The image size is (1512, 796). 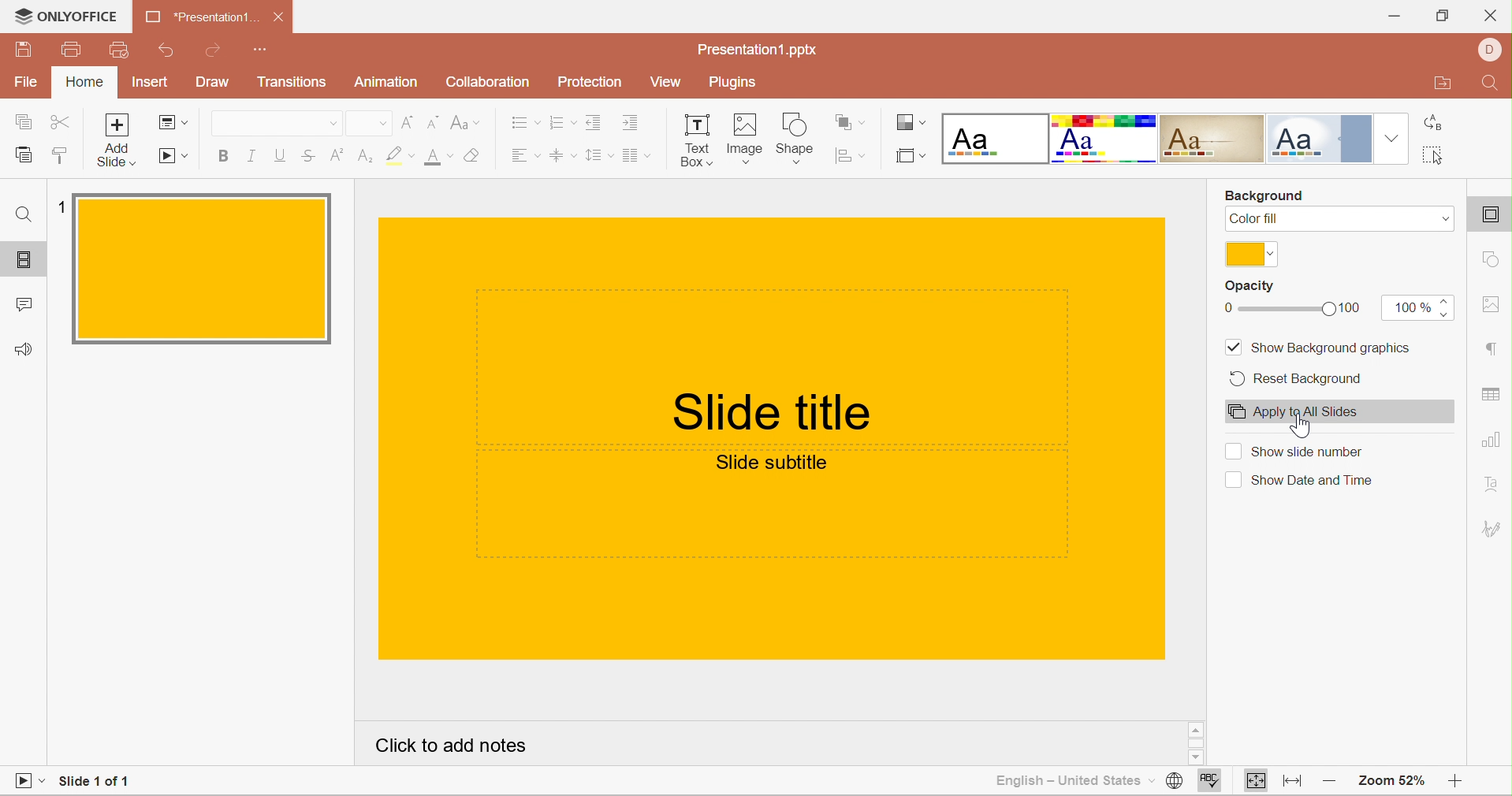 I want to click on Gold color, so click(x=1251, y=254).